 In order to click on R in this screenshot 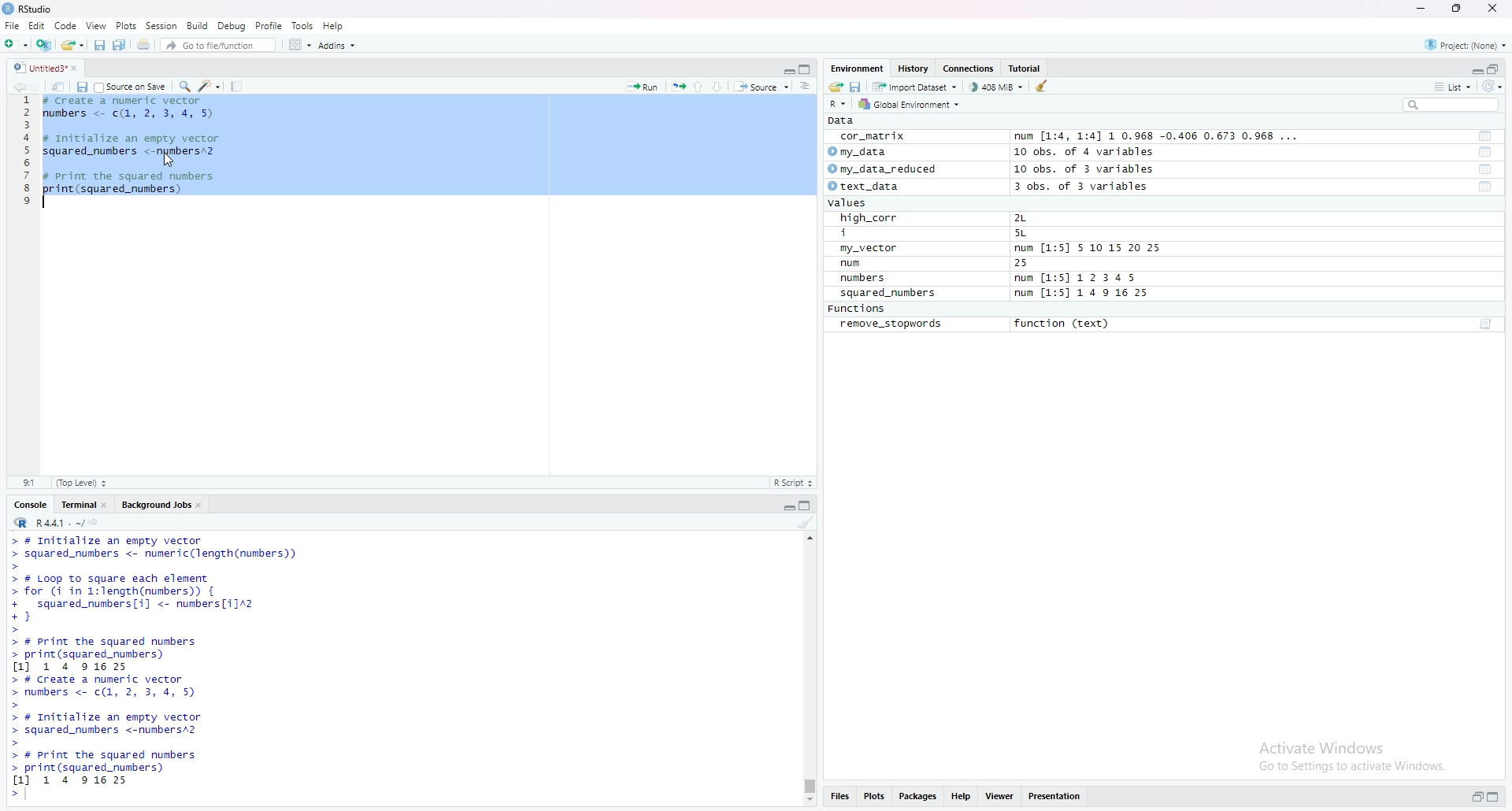, I will do `click(839, 103)`.